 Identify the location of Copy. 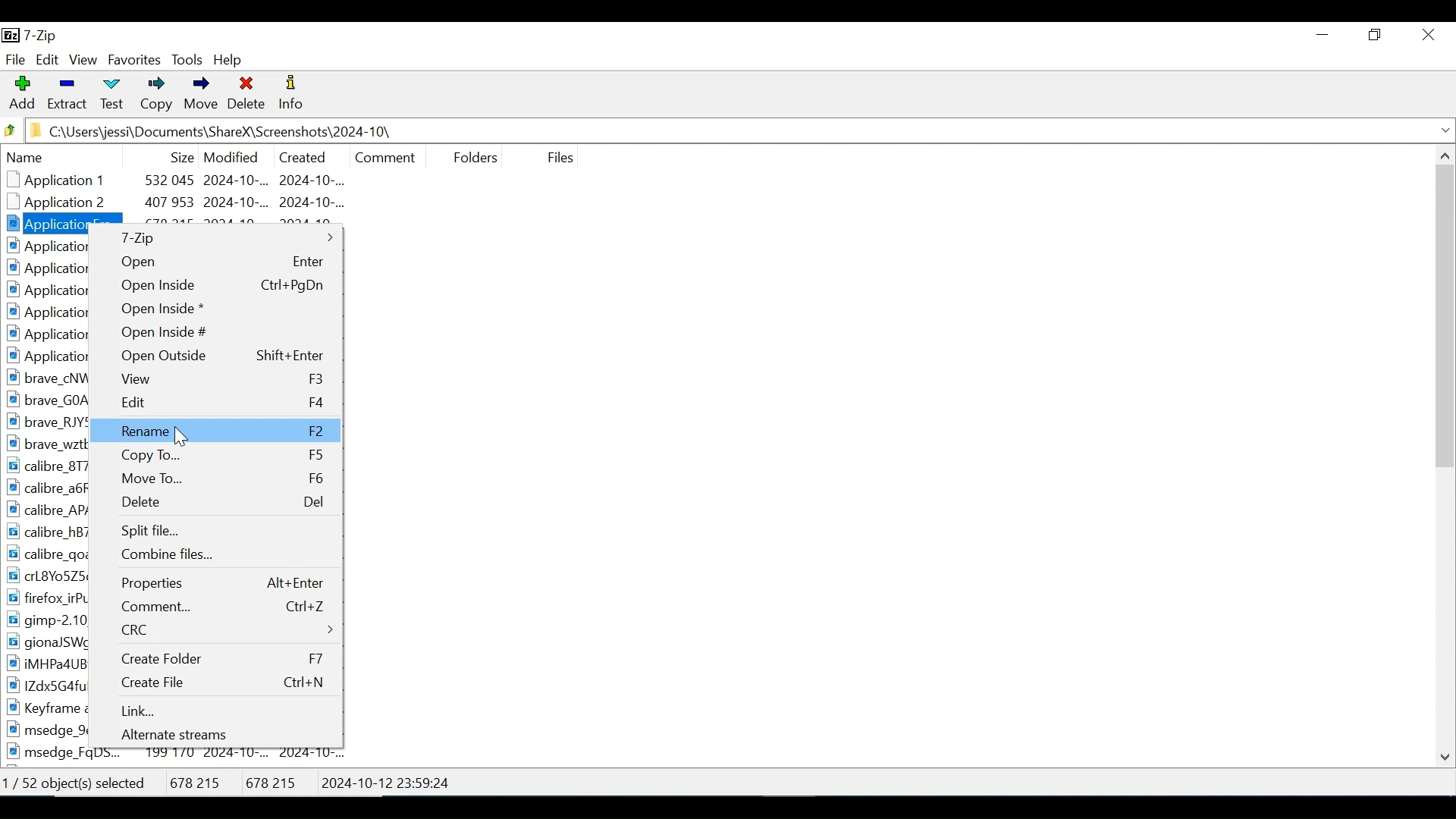
(153, 96).